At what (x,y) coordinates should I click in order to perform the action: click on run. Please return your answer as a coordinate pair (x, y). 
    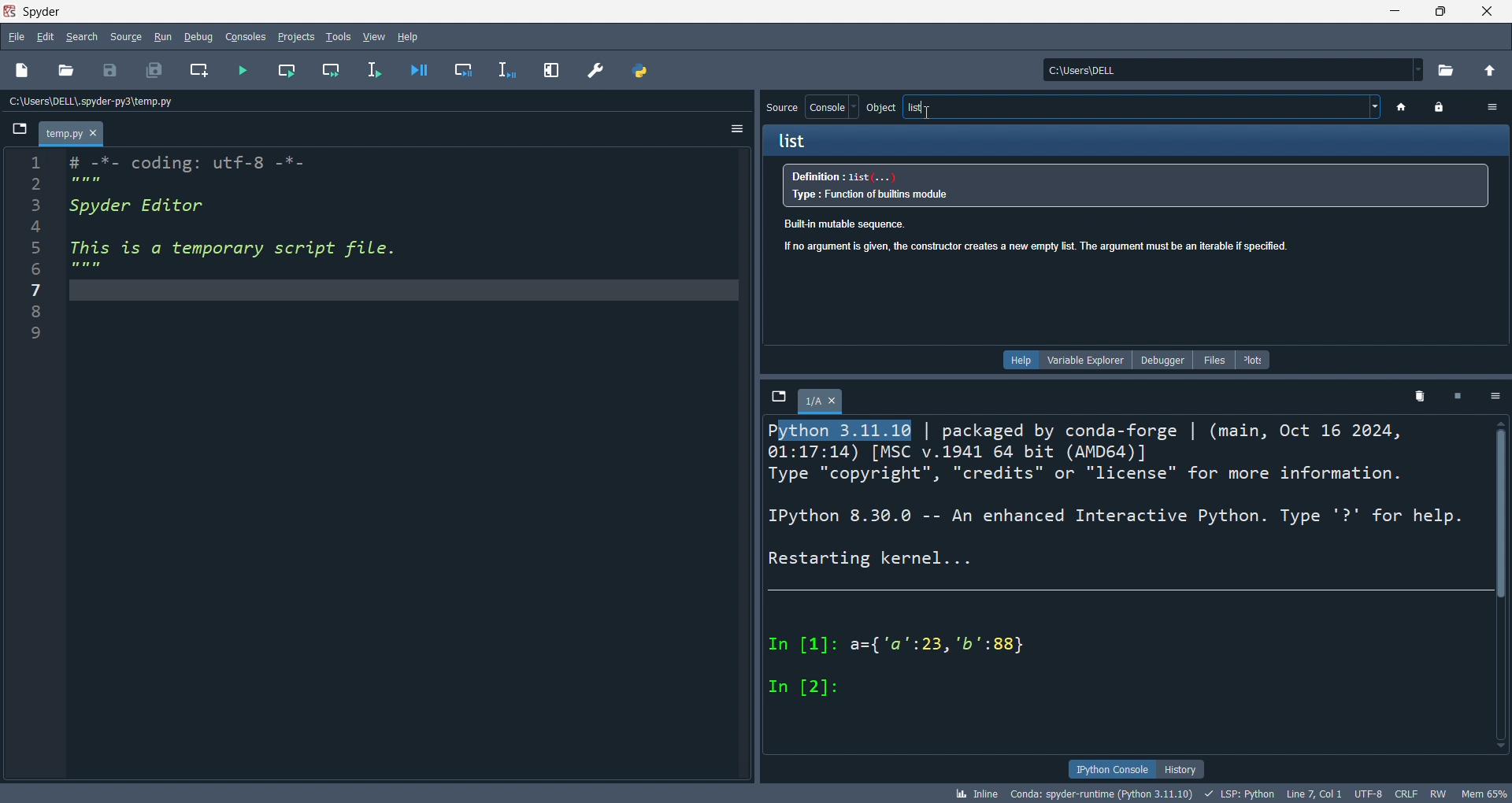
    Looking at the image, I should click on (160, 37).